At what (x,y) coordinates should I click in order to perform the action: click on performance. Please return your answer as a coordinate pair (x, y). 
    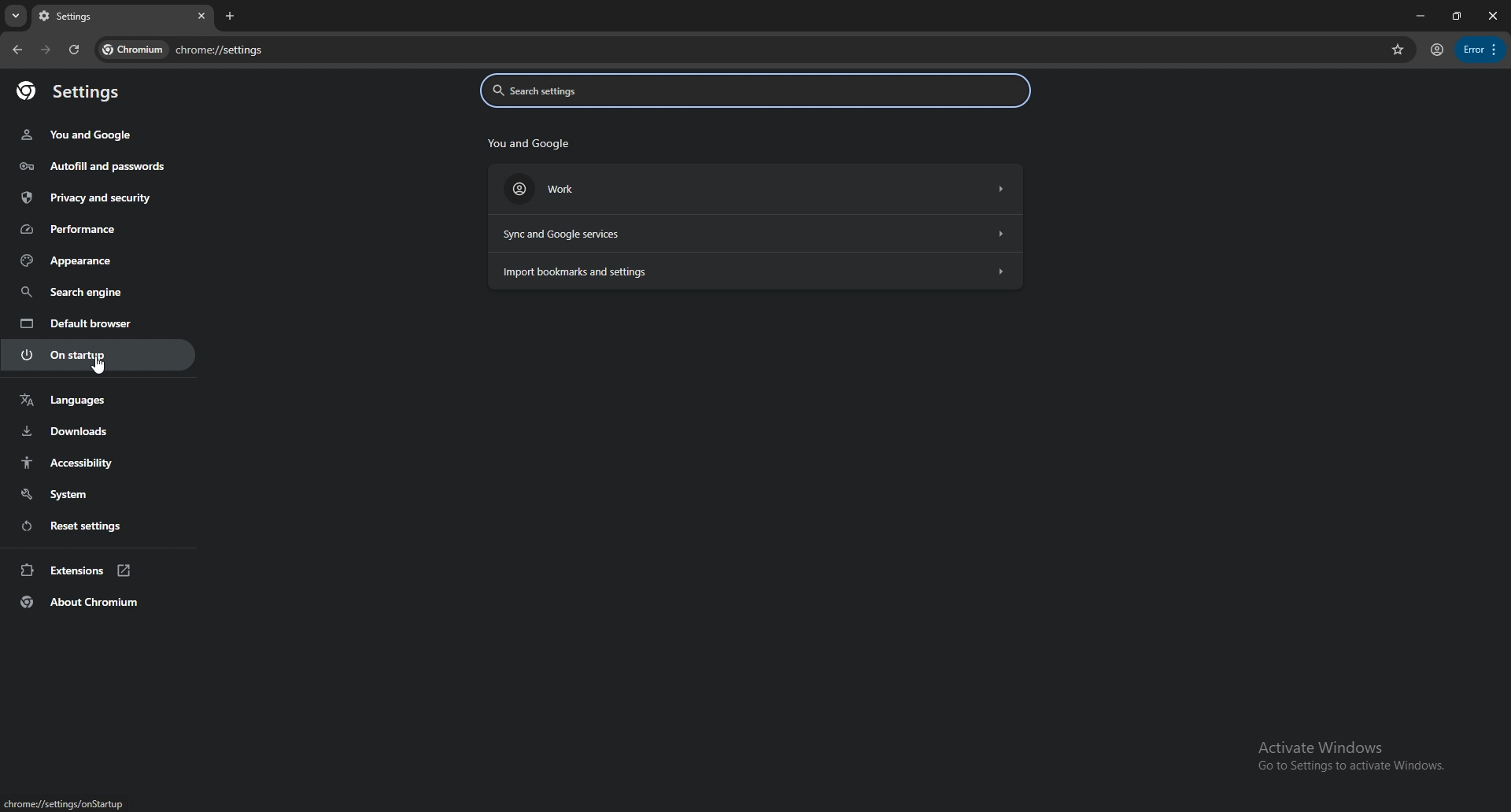
    Looking at the image, I should click on (92, 228).